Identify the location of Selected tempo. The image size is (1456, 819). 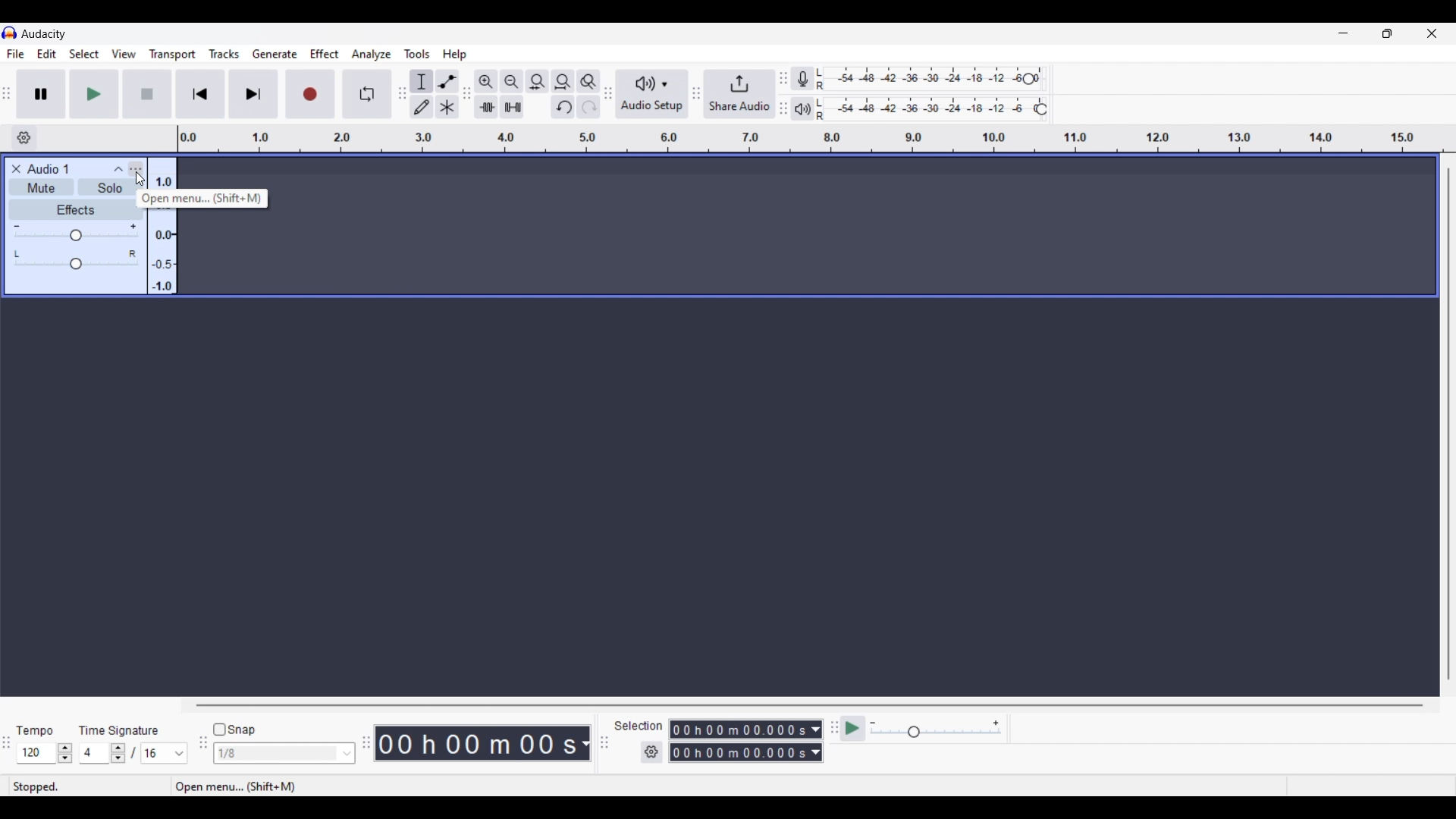
(36, 753).